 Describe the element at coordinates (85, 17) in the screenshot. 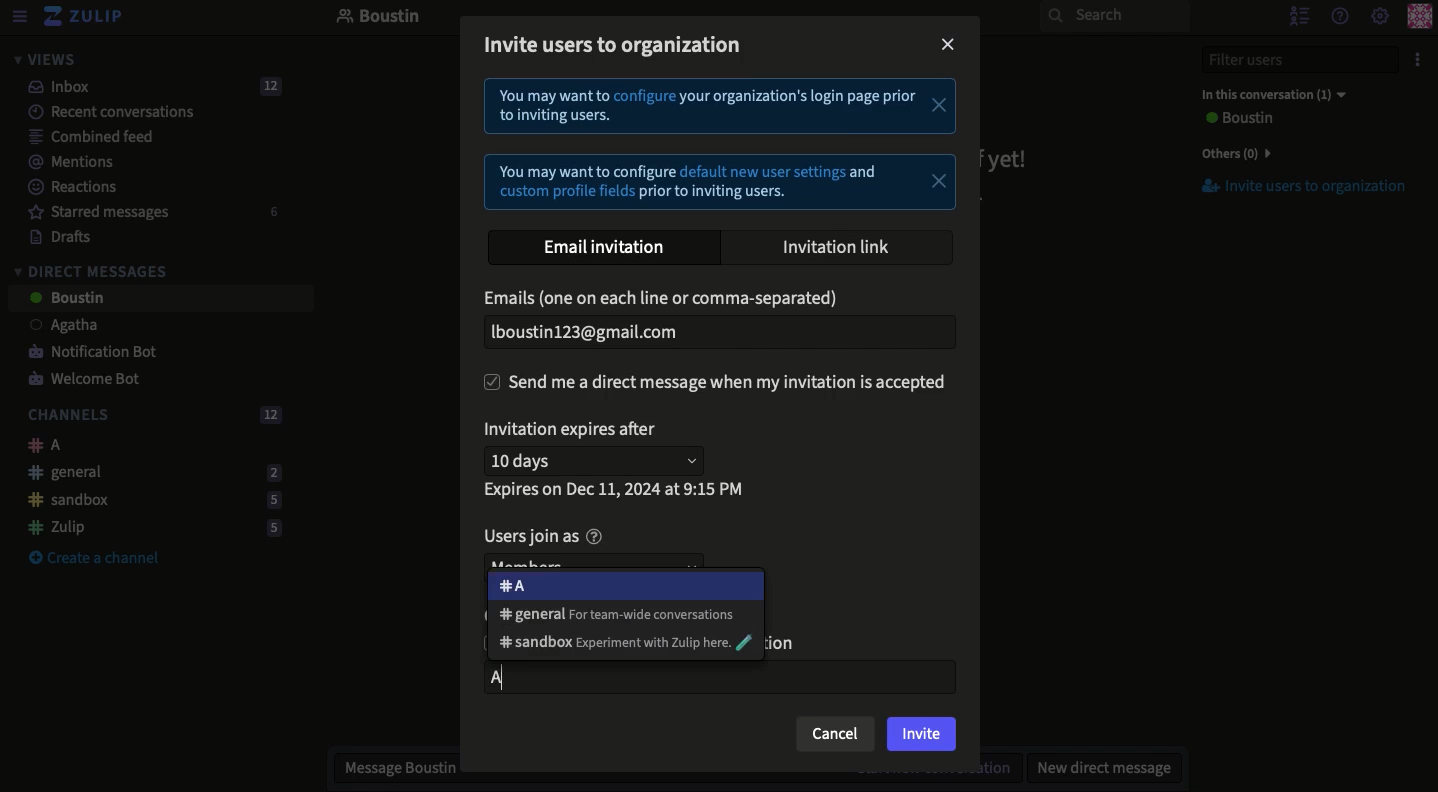

I see `Zulip` at that location.